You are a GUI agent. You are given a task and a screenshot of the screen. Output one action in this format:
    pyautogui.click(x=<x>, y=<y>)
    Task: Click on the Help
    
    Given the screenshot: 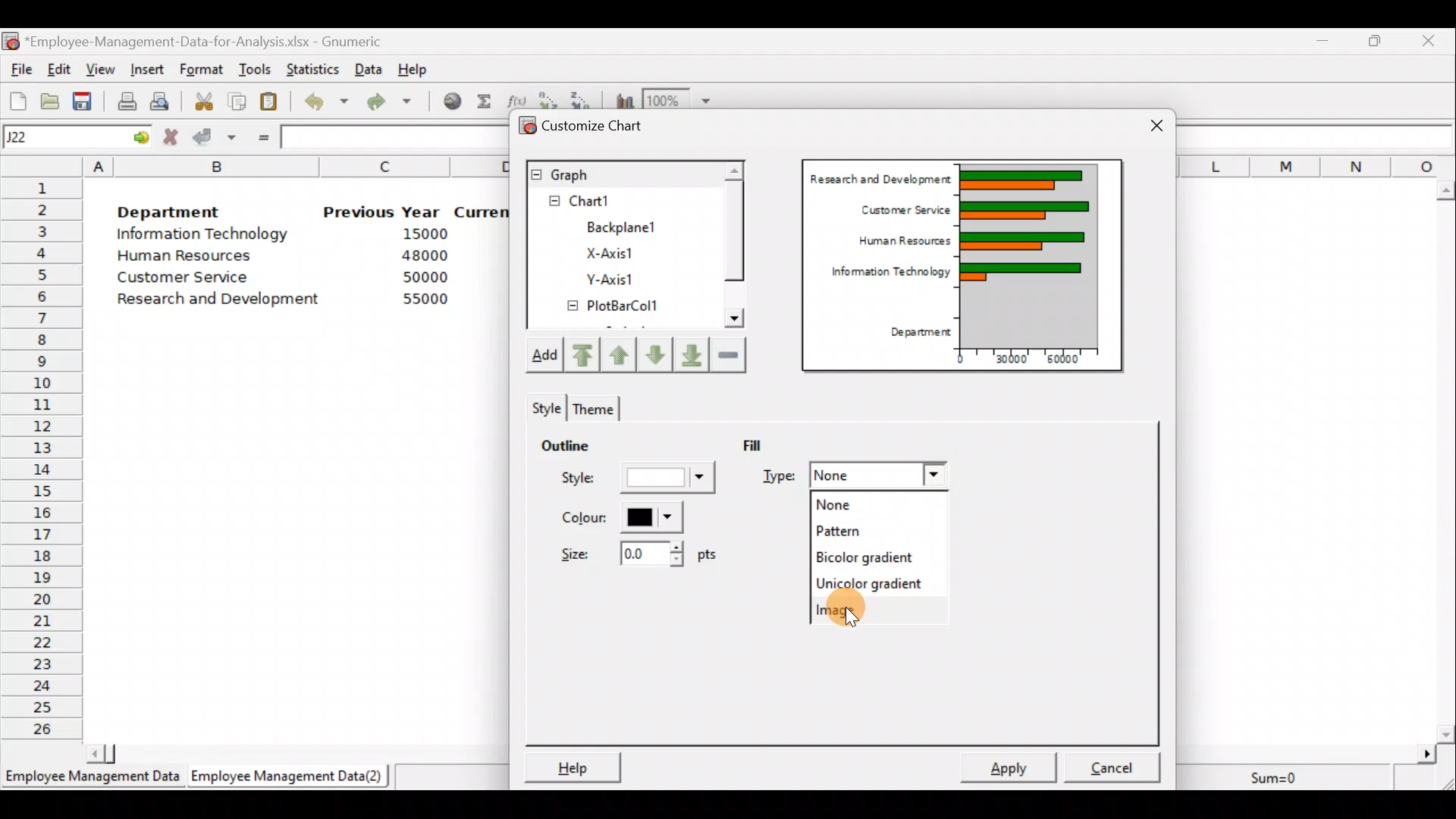 What is the action you would take?
    pyautogui.click(x=573, y=764)
    